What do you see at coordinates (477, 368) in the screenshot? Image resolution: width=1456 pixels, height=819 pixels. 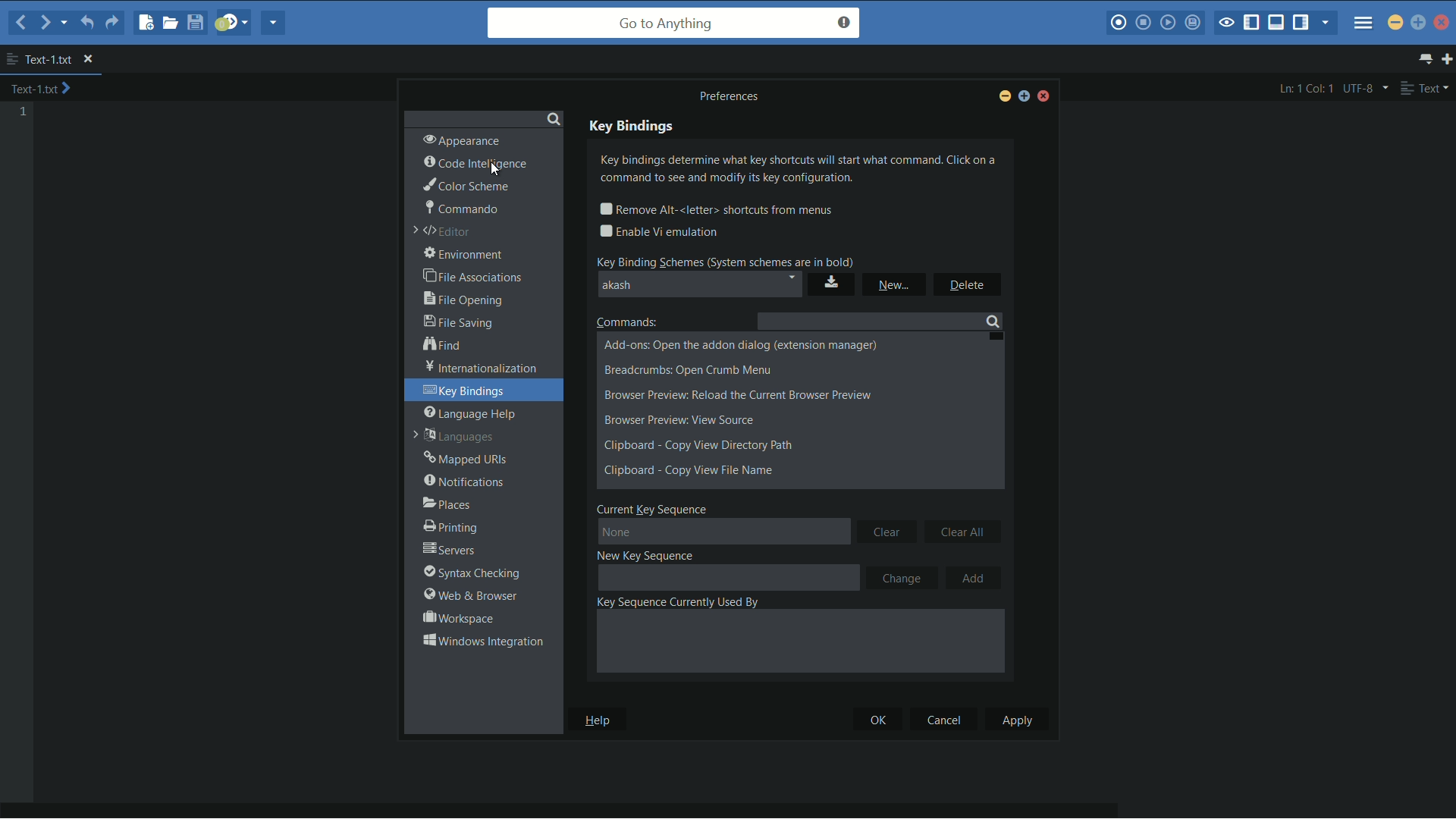 I see `internationalization` at bounding box center [477, 368].